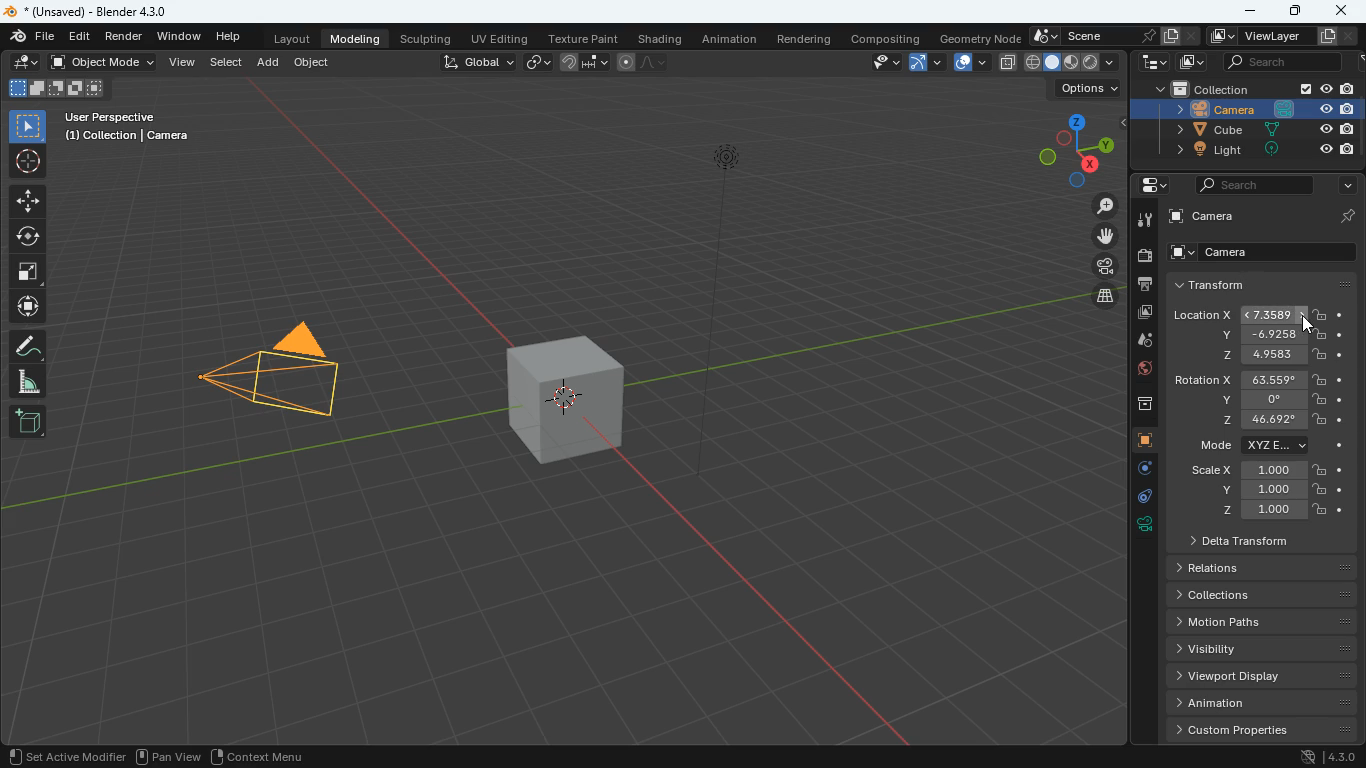 This screenshot has height=768, width=1366. I want to click on help, so click(232, 37).